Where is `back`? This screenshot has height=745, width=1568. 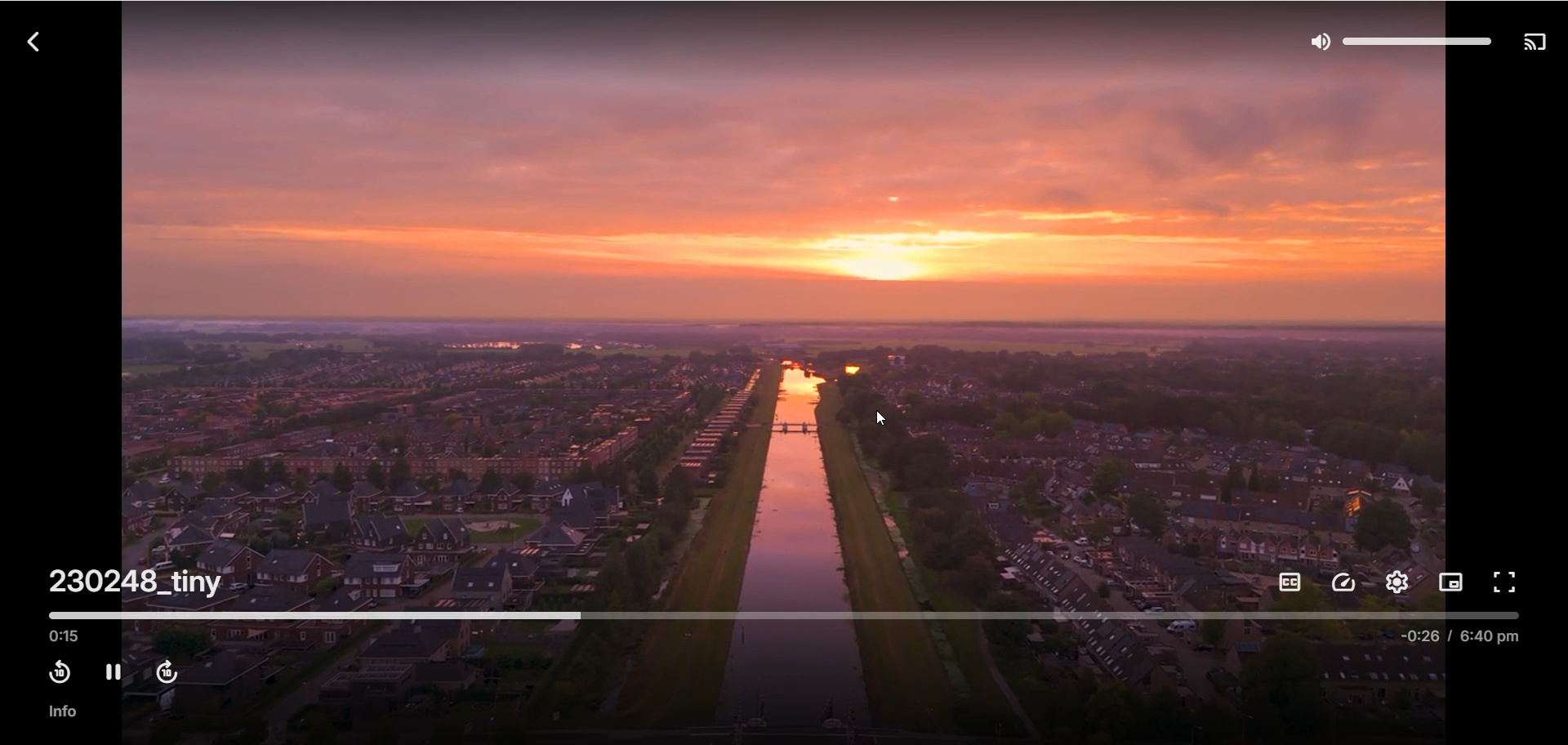
back is located at coordinates (37, 42).